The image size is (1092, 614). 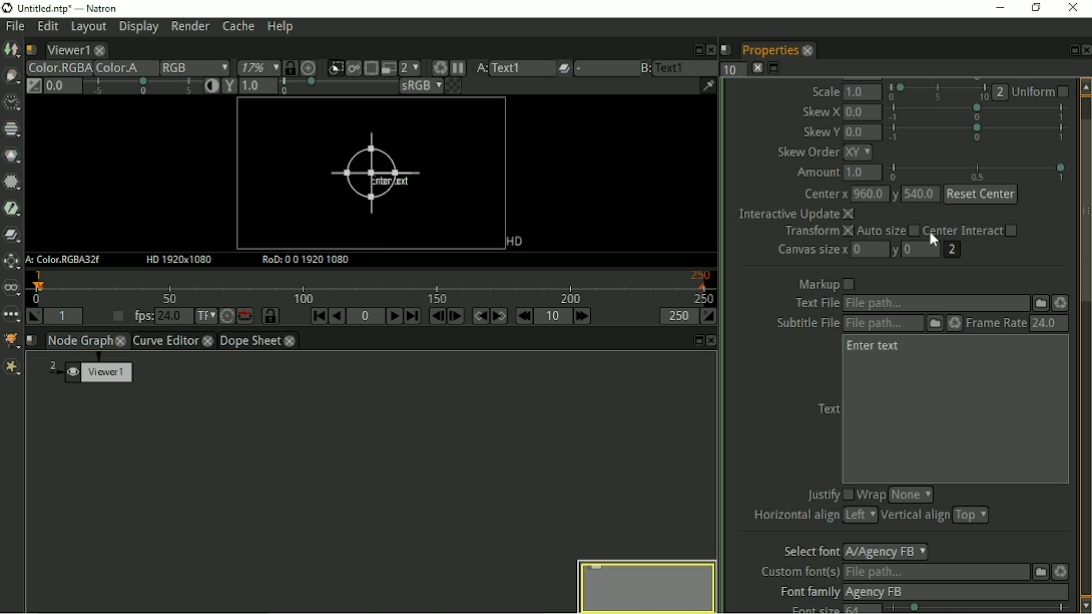 I want to click on close, so click(x=209, y=342).